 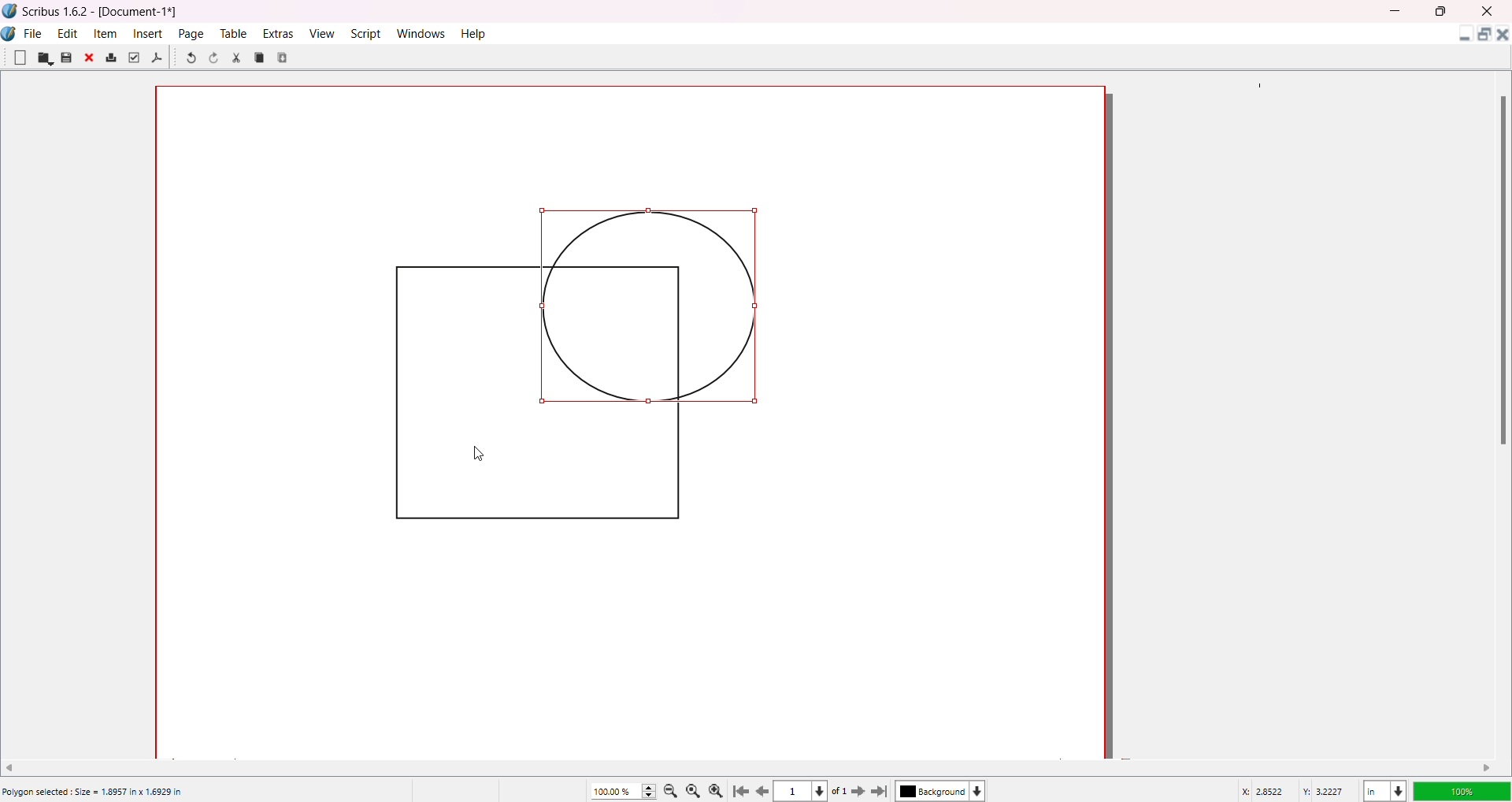 I want to click on Zoom Increase/Decrease, so click(x=651, y=789).